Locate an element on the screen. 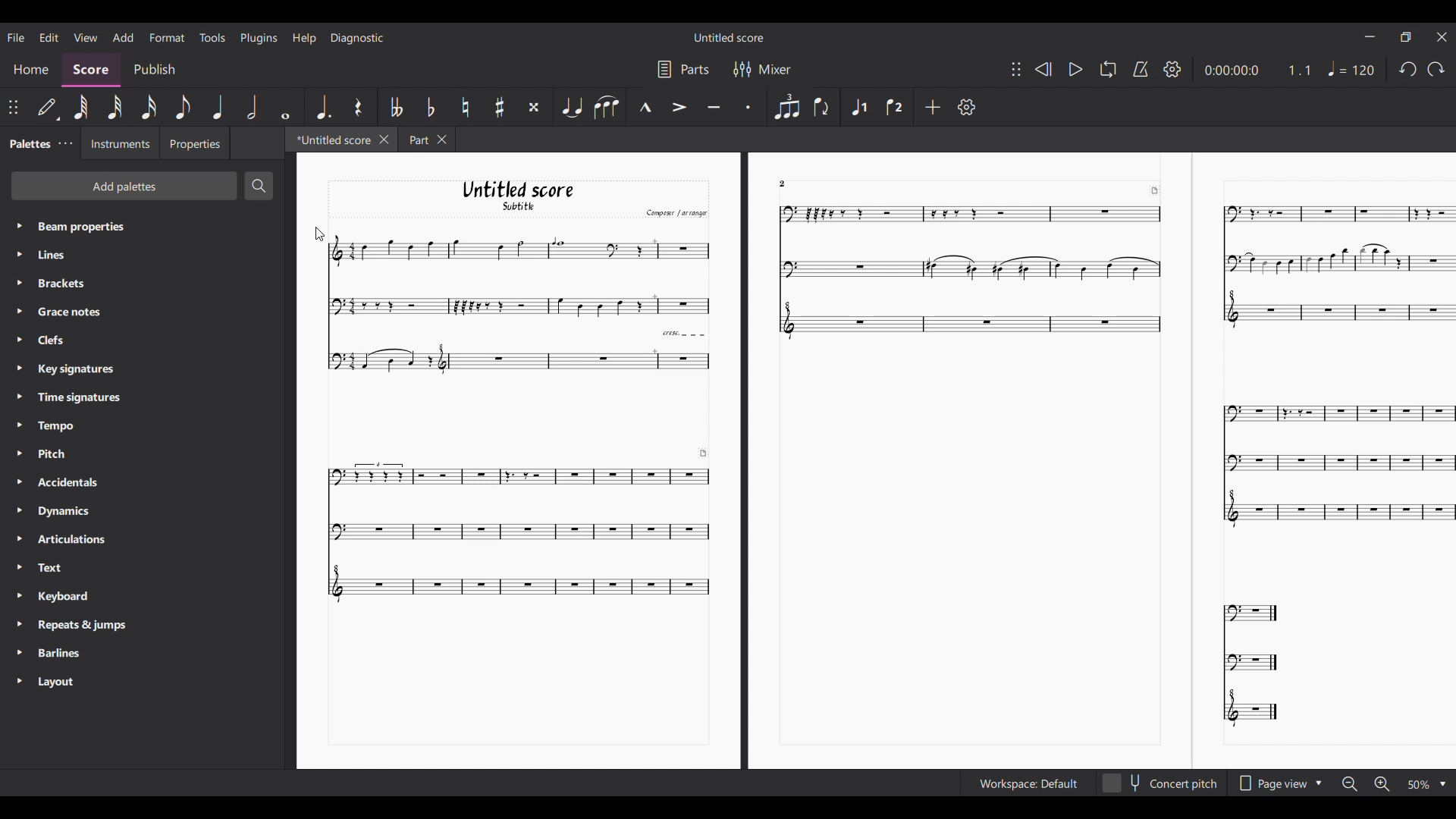 The image size is (1456, 819). Toggle natural is located at coordinates (465, 107).